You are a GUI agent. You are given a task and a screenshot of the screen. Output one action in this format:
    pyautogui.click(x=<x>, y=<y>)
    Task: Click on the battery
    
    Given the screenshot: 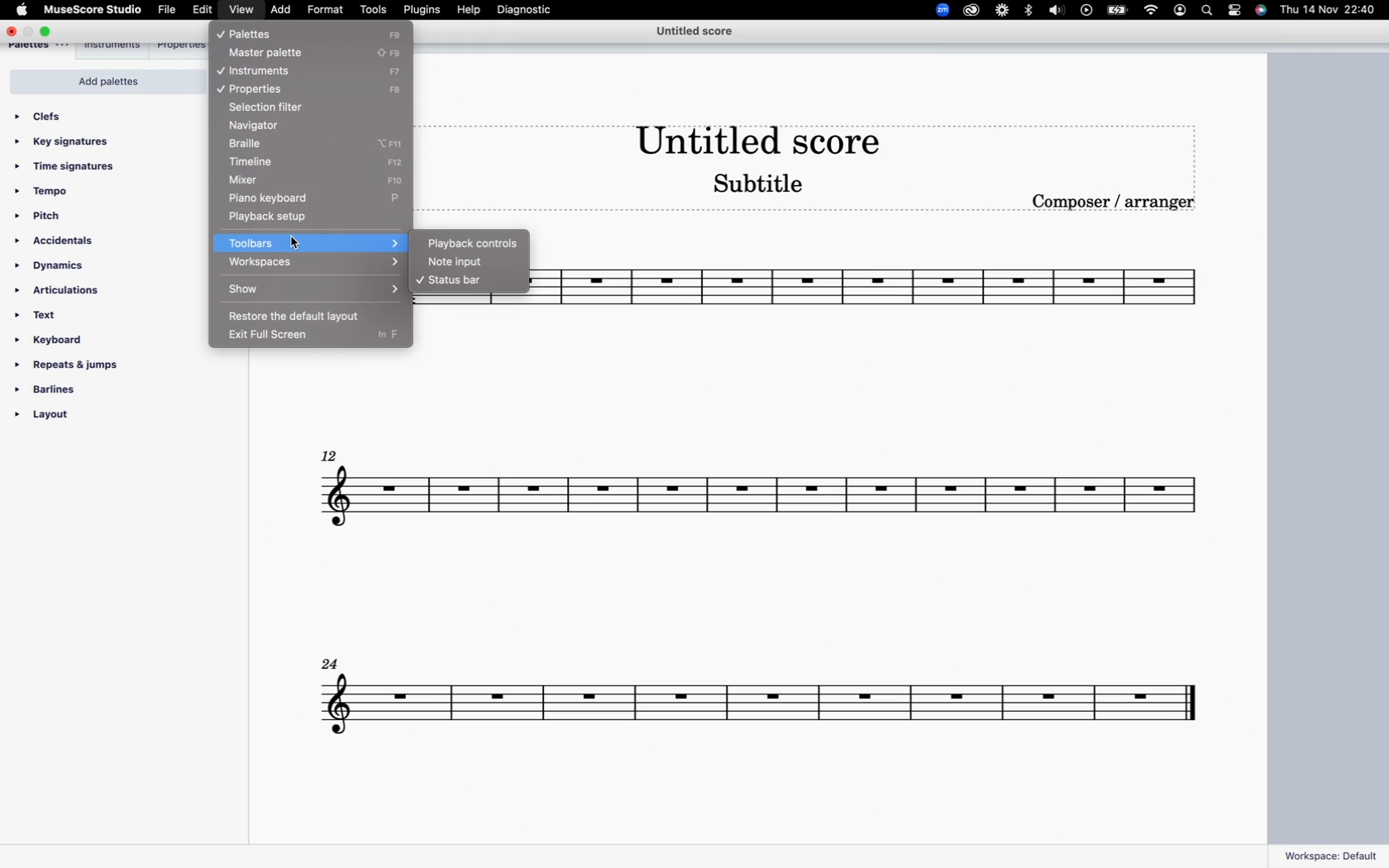 What is the action you would take?
    pyautogui.click(x=1118, y=12)
    